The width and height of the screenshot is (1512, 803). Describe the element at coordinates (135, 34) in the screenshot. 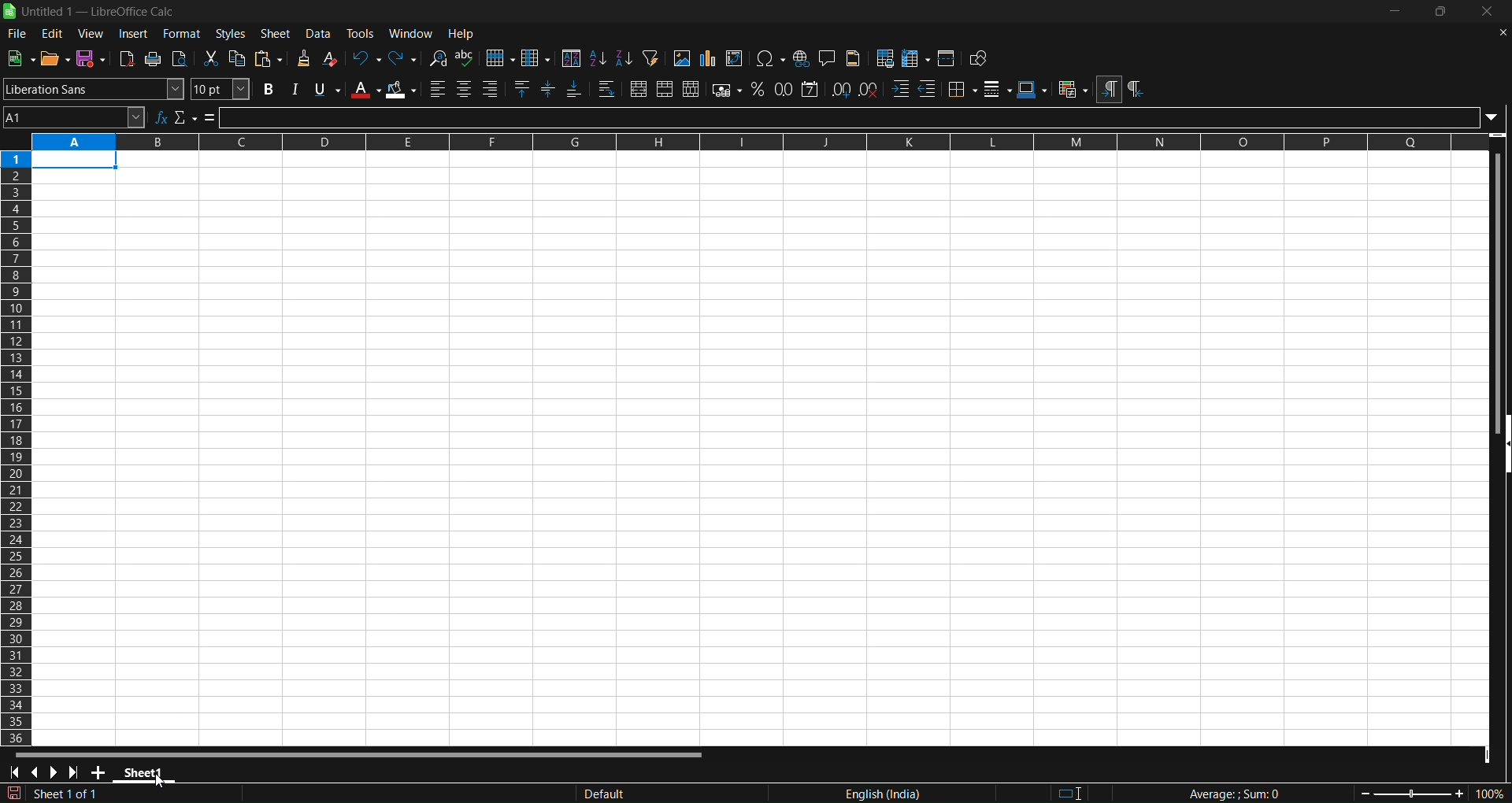

I see `insert` at that location.